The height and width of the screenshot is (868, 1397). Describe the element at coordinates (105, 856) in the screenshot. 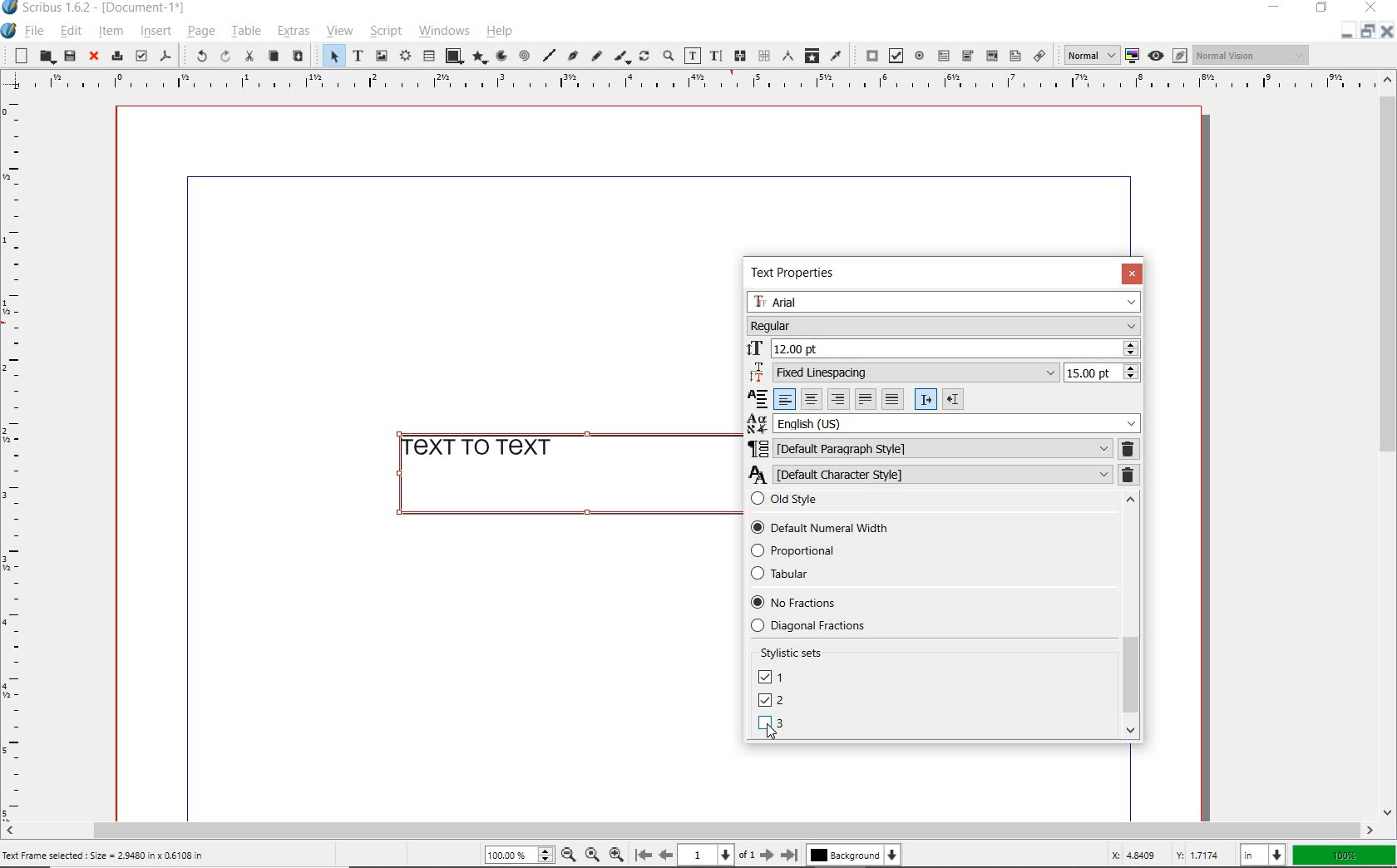

I see `Text Frame selected : Size = 2.9480 in x 0.6108 in` at that location.